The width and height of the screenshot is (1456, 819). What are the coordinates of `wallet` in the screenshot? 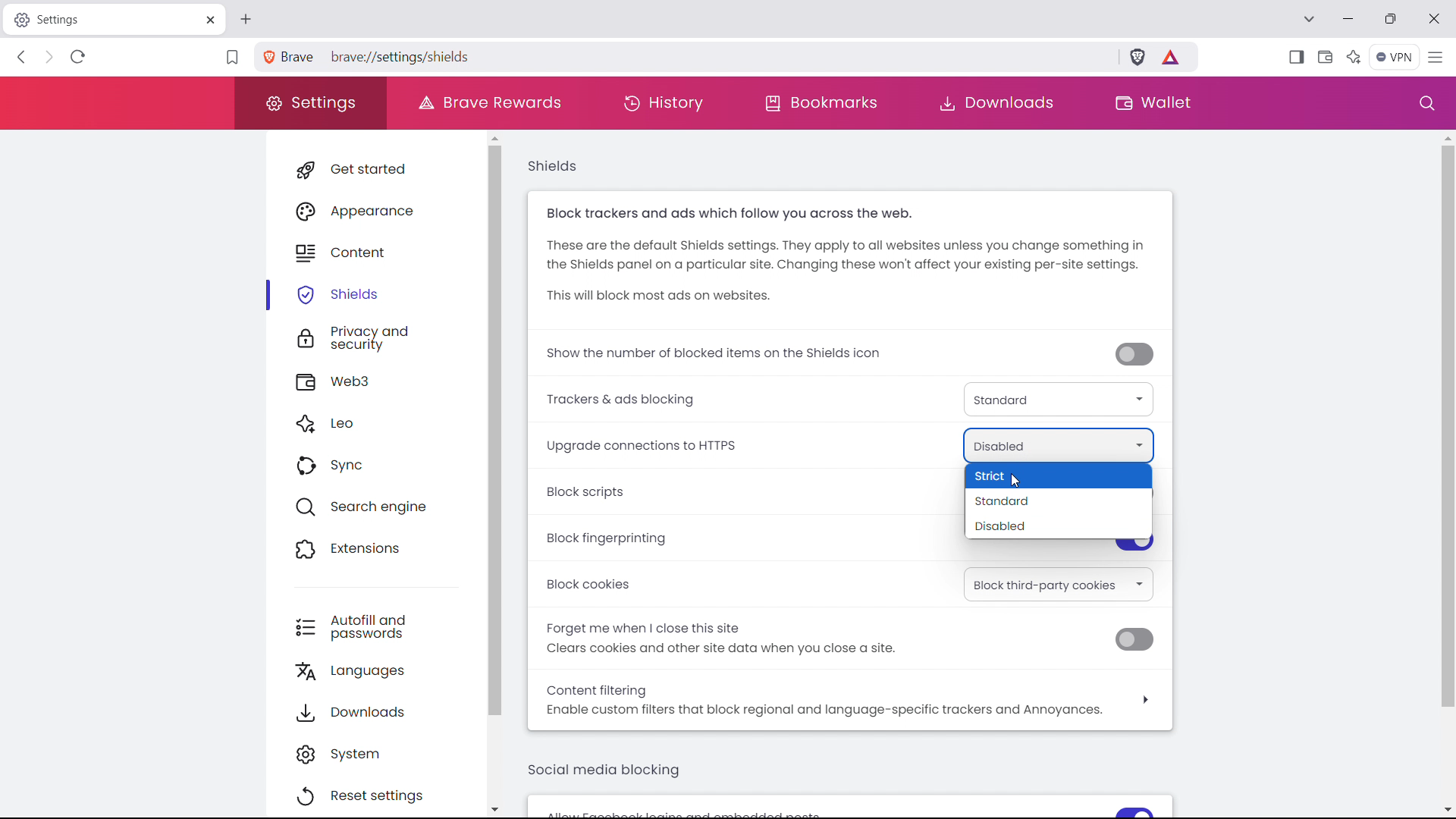 It's located at (1150, 102).